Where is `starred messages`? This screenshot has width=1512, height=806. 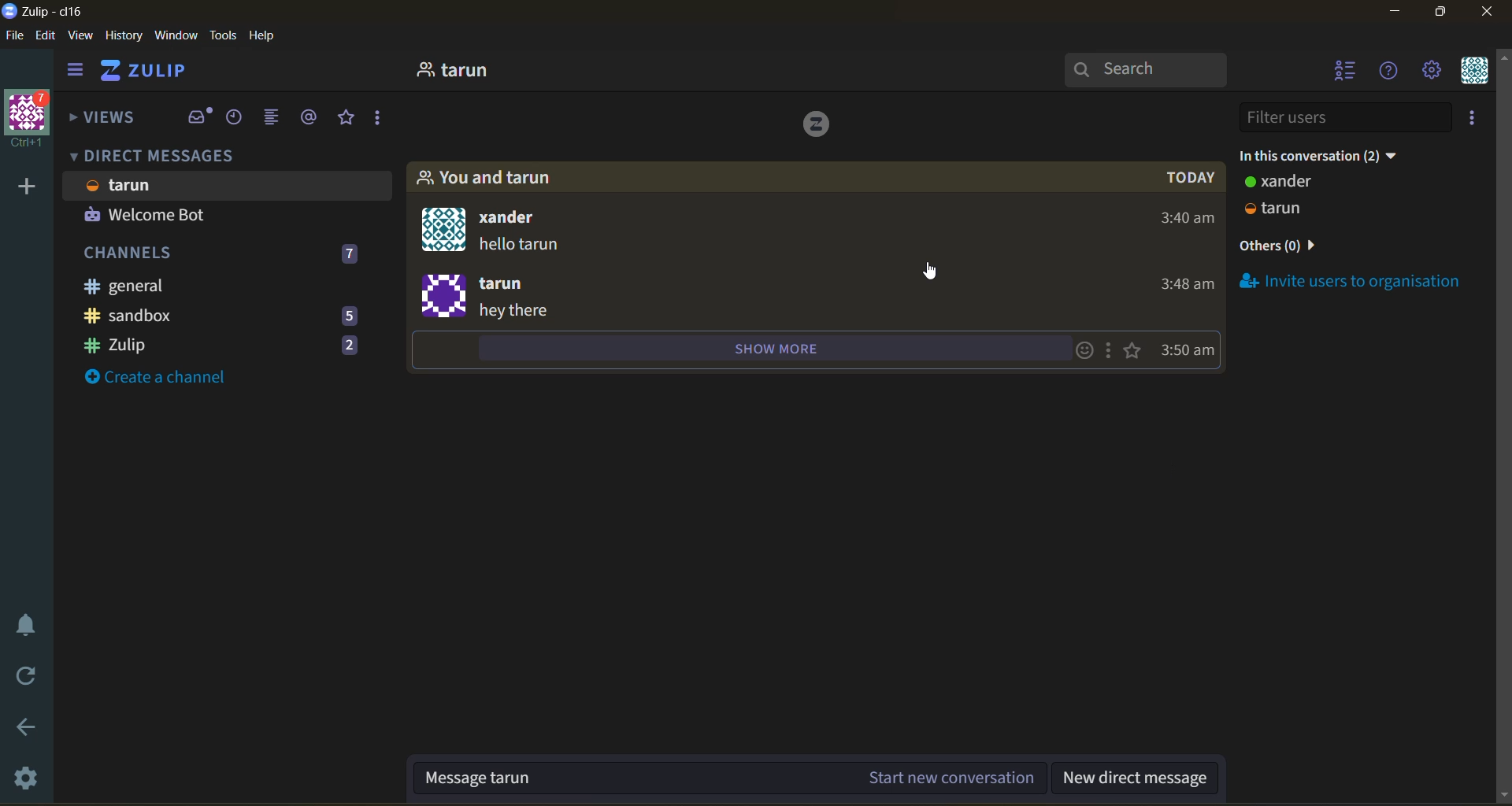
starred messages is located at coordinates (348, 119).